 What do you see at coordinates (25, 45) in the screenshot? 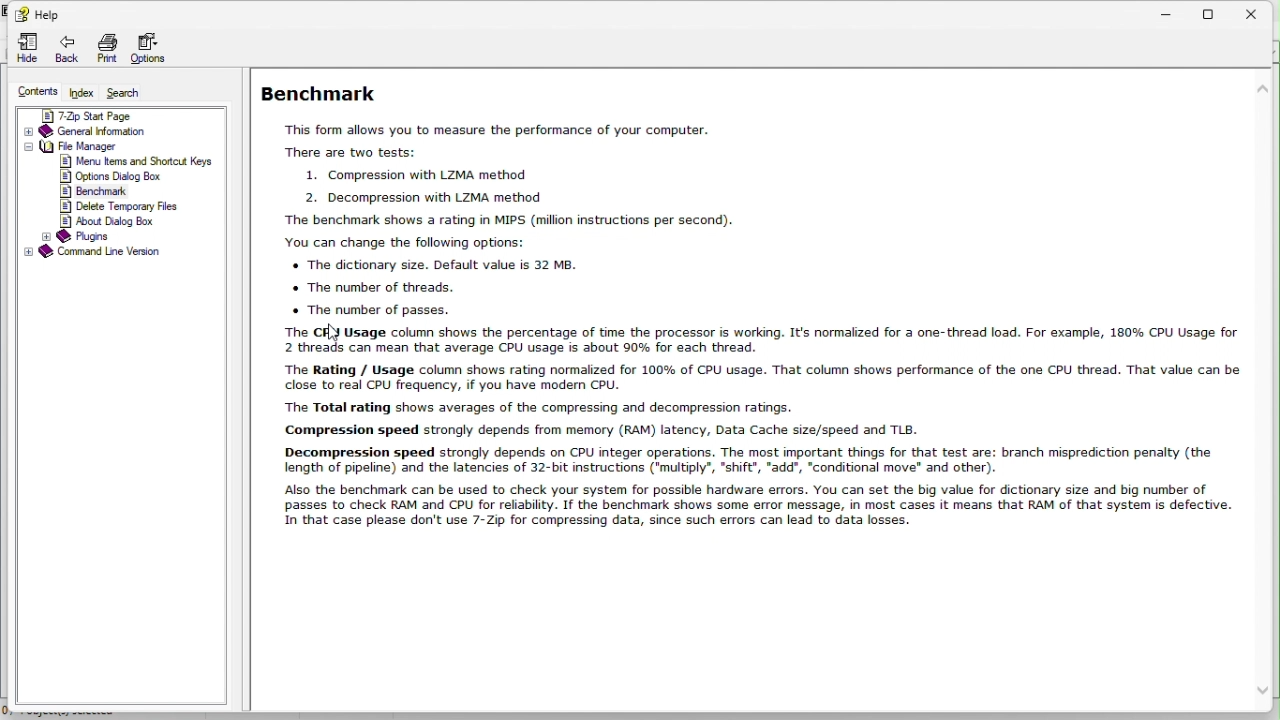
I see `Hide` at bounding box center [25, 45].